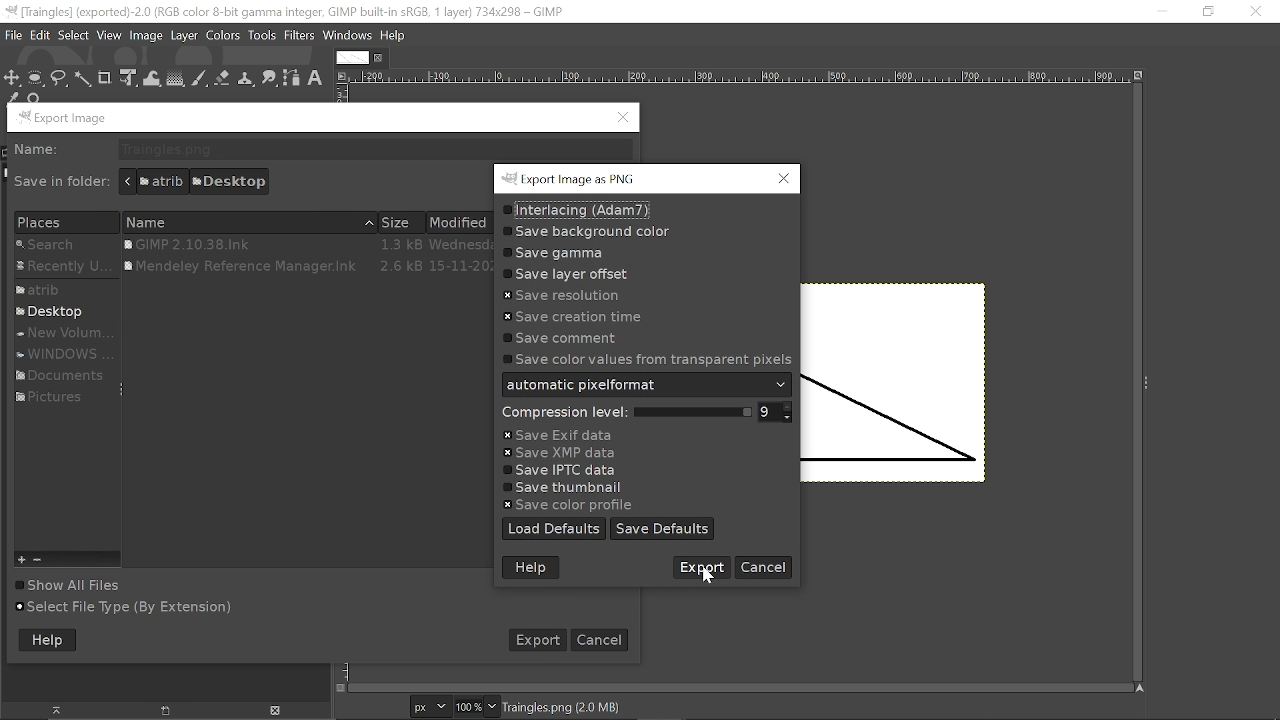 The image size is (1280, 720). What do you see at coordinates (36, 79) in the screenshot?
I see `Ellipse select tool` at bounding box center [36, 79].